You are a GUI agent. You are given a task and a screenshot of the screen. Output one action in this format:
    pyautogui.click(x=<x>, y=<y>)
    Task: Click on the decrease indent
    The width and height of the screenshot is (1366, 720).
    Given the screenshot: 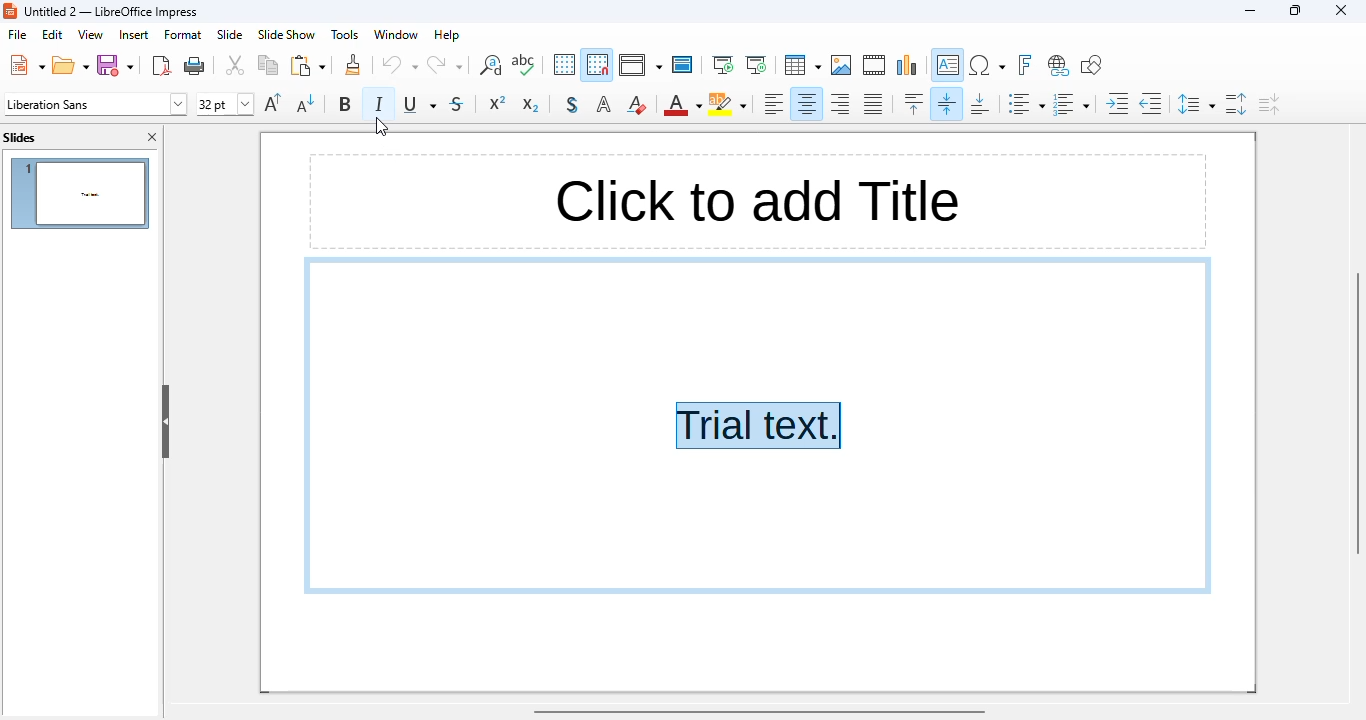 What is the action you would take?
    pyautogui.click(x=1152, y=104)
    